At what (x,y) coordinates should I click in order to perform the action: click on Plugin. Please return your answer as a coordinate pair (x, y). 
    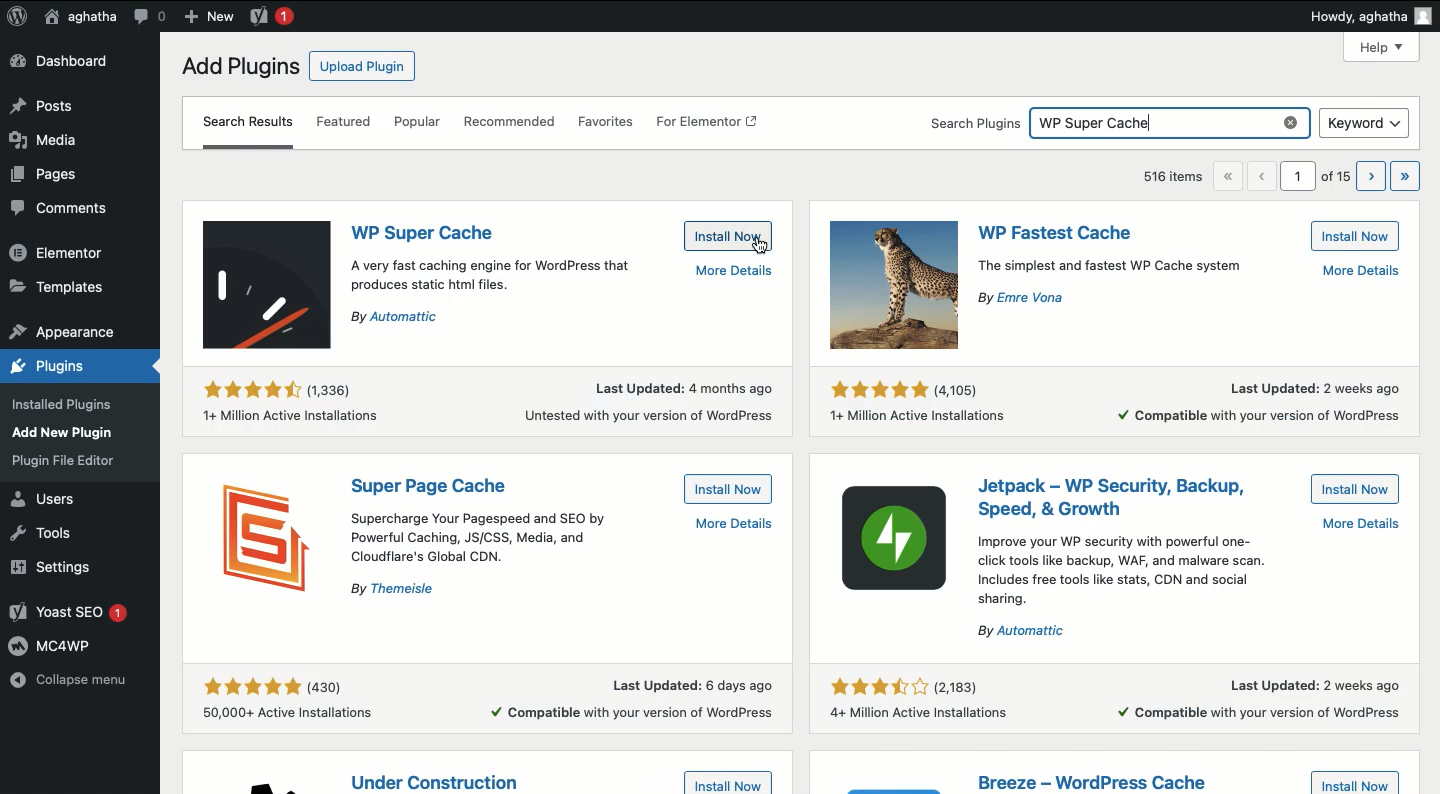
    Looking at the image, I should click on (449, 784).